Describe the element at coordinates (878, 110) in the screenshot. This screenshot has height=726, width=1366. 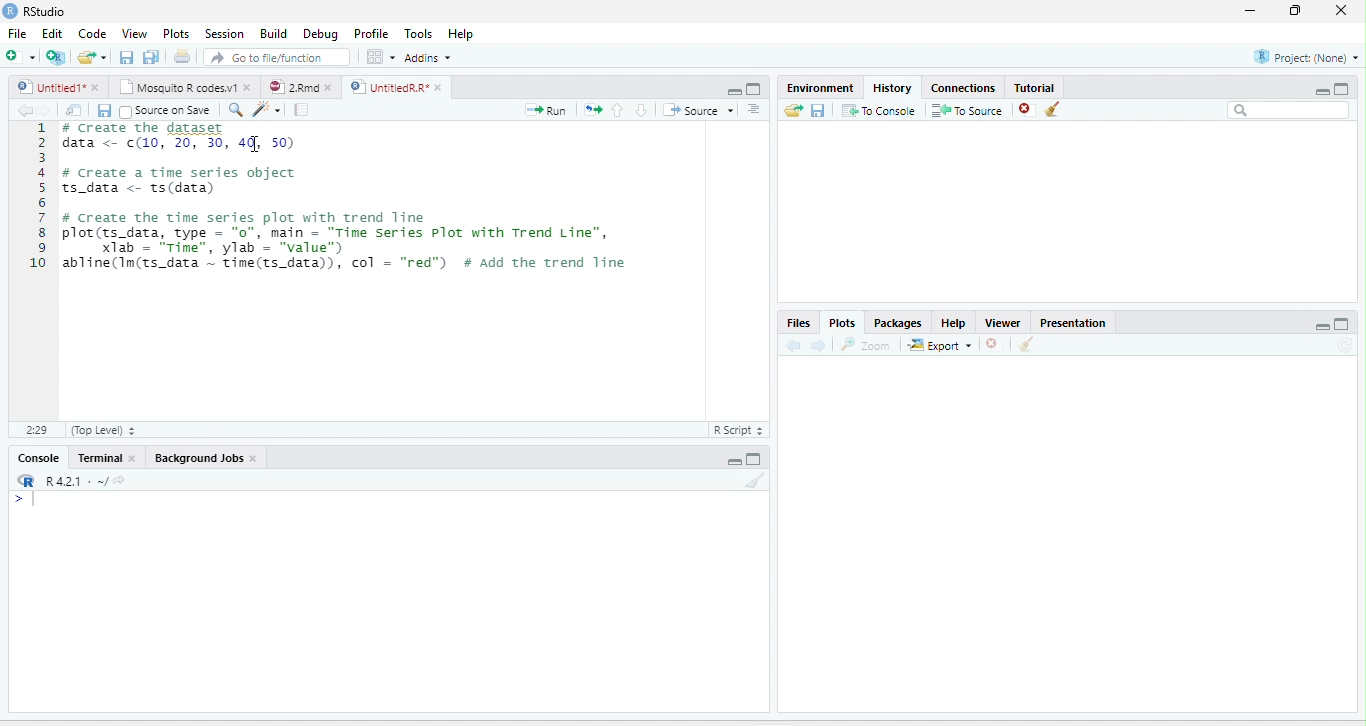
I see `To Console` at that location.